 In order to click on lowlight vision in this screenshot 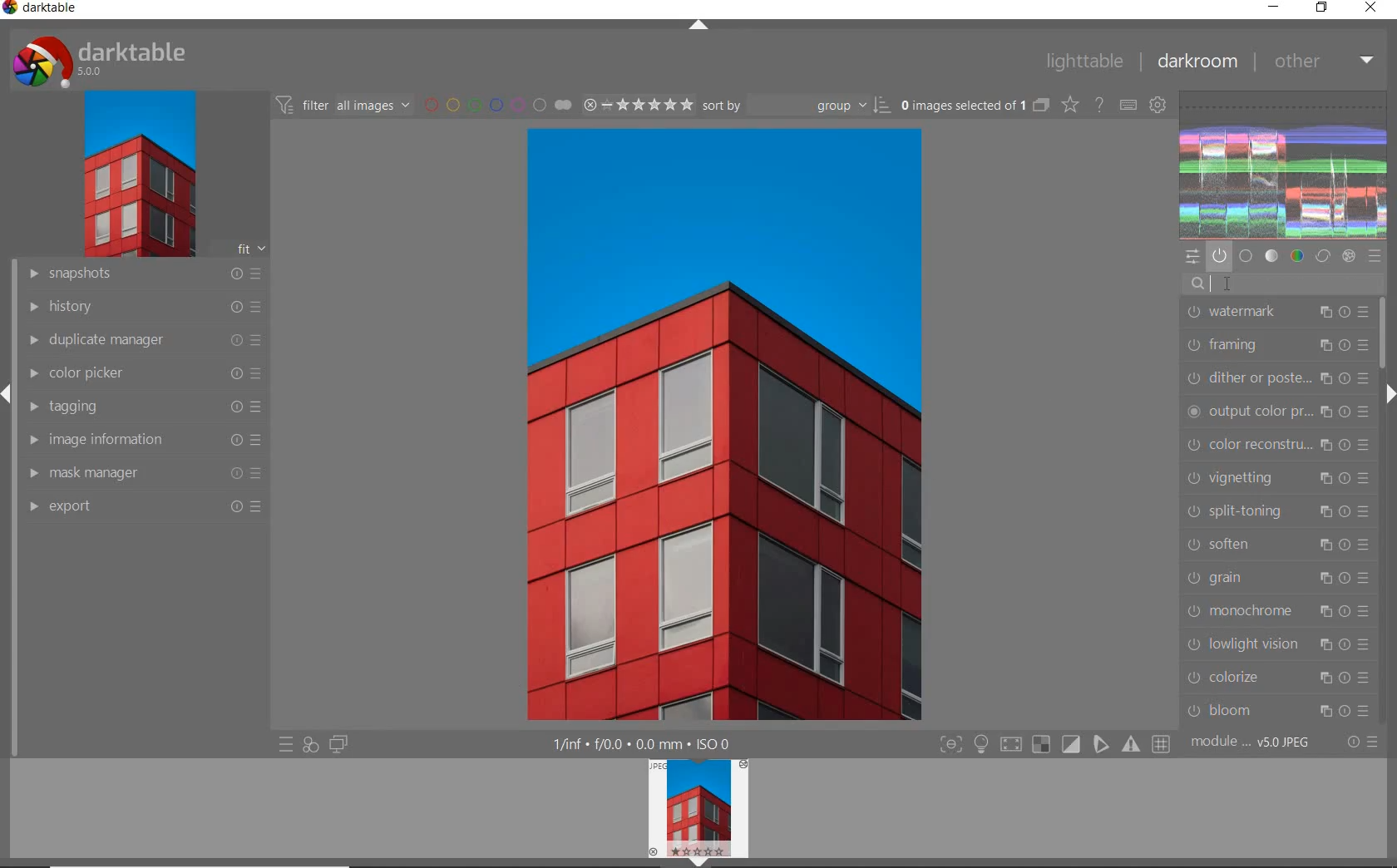, I will do `click(1277, 644)`.